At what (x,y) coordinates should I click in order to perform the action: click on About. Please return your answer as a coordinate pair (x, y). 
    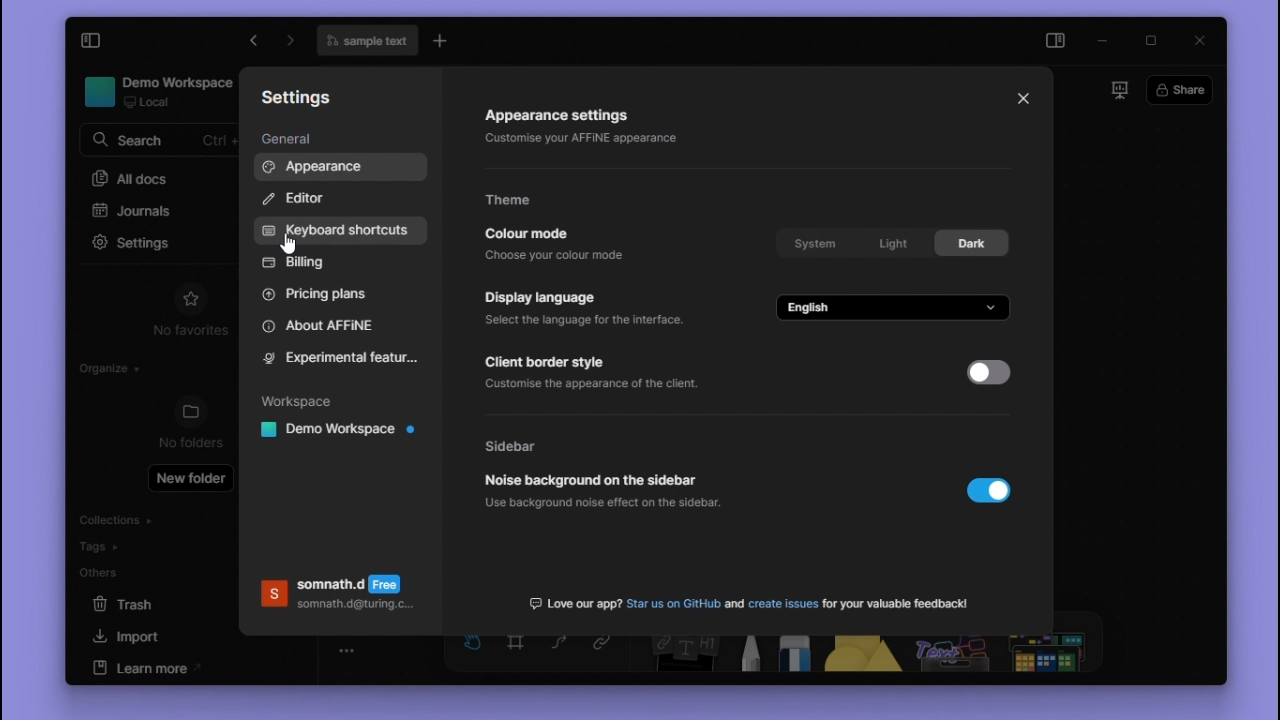
    Looking at the image, I should click on (330, 326).